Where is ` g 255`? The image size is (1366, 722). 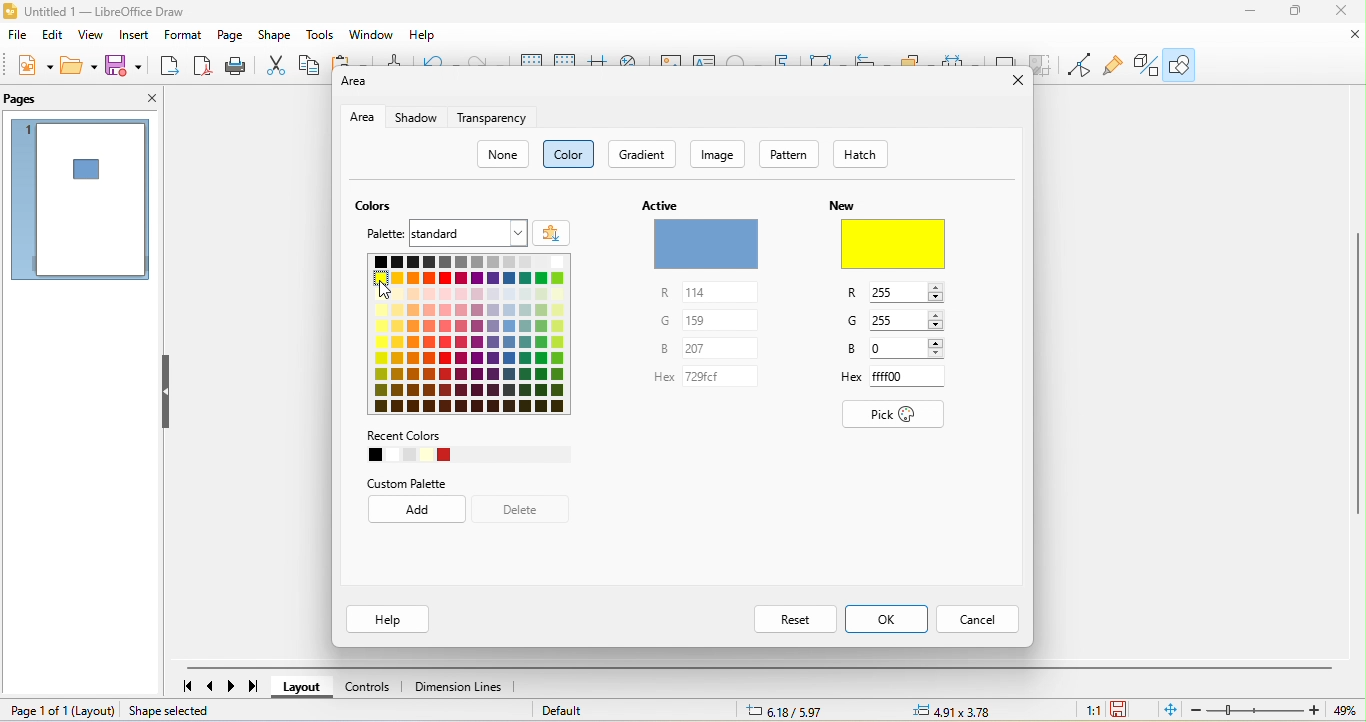
 g 255 is located at coordinates (897, 321).